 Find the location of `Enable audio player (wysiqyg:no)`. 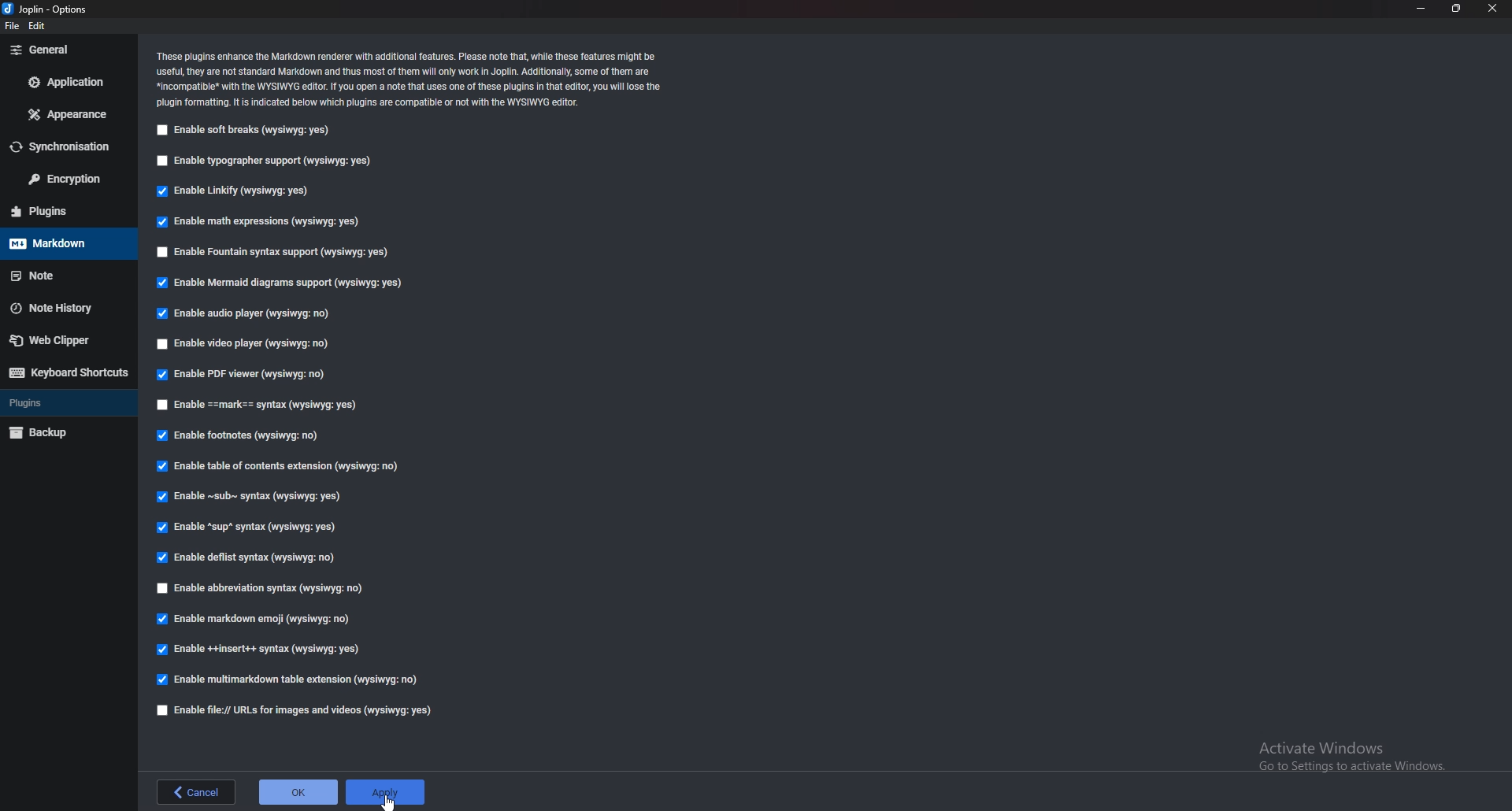

Enable audio player (wysiqyg:no) is located at coordinates (247, 314).